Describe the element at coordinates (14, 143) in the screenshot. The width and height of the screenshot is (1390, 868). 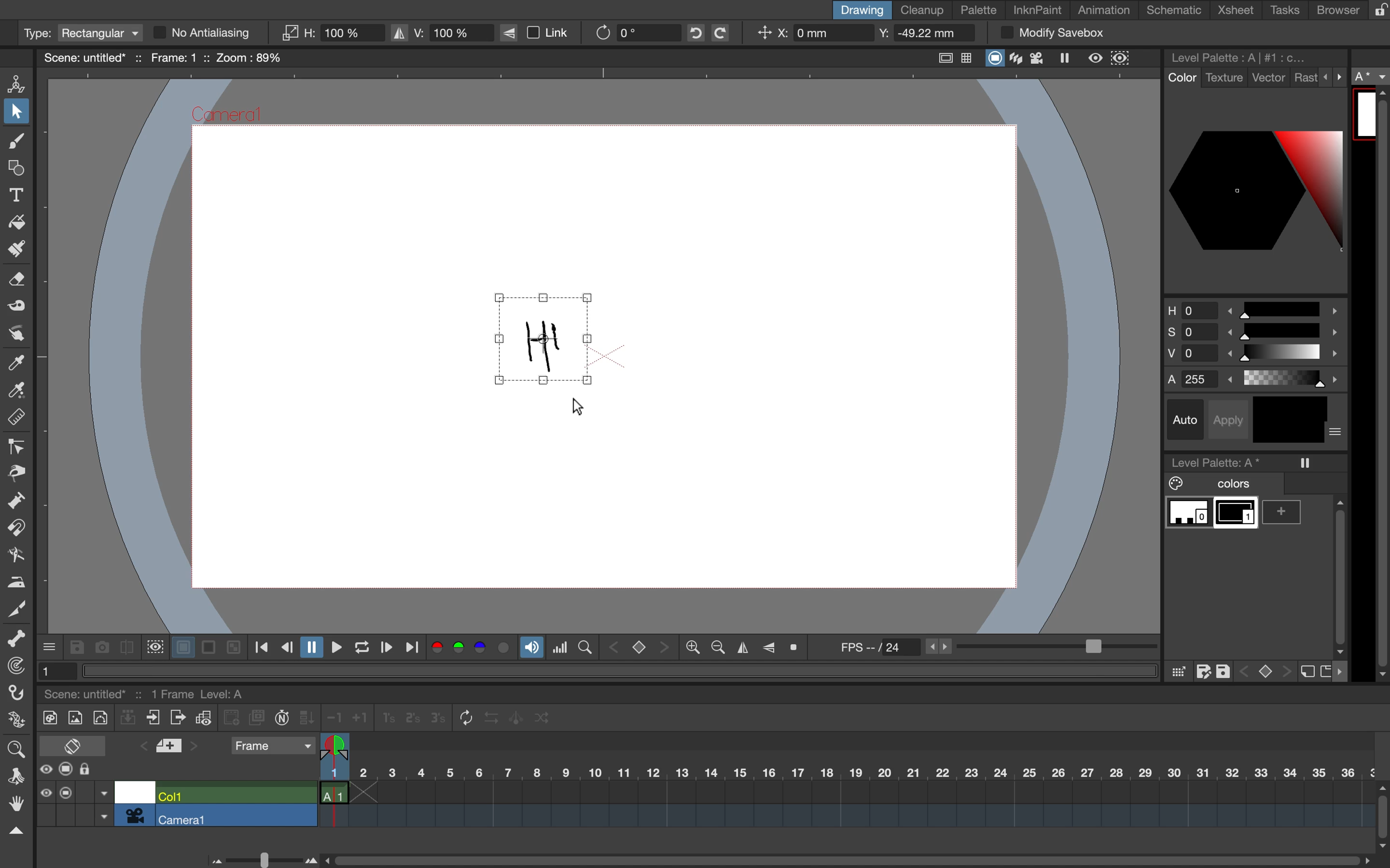
I see `brush tool` at that location.